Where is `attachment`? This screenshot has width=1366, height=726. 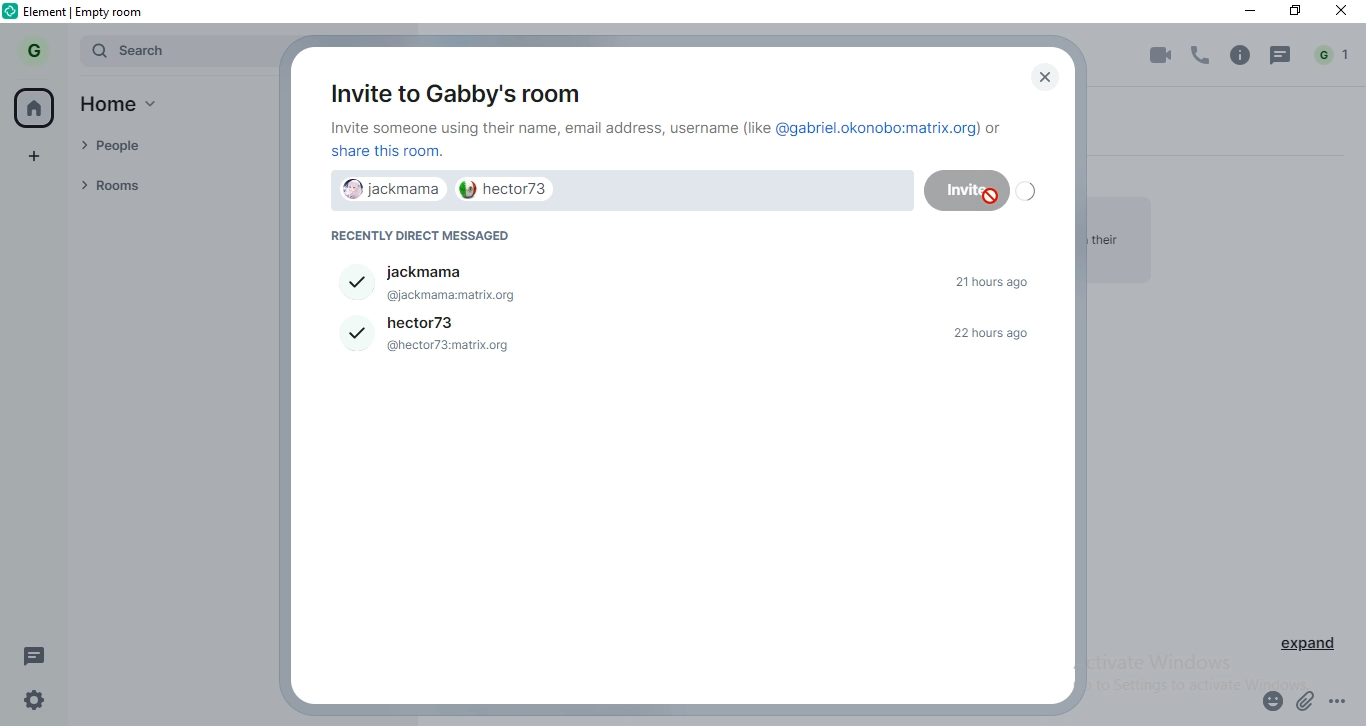 attachment is located at coordinates (1307, 703).